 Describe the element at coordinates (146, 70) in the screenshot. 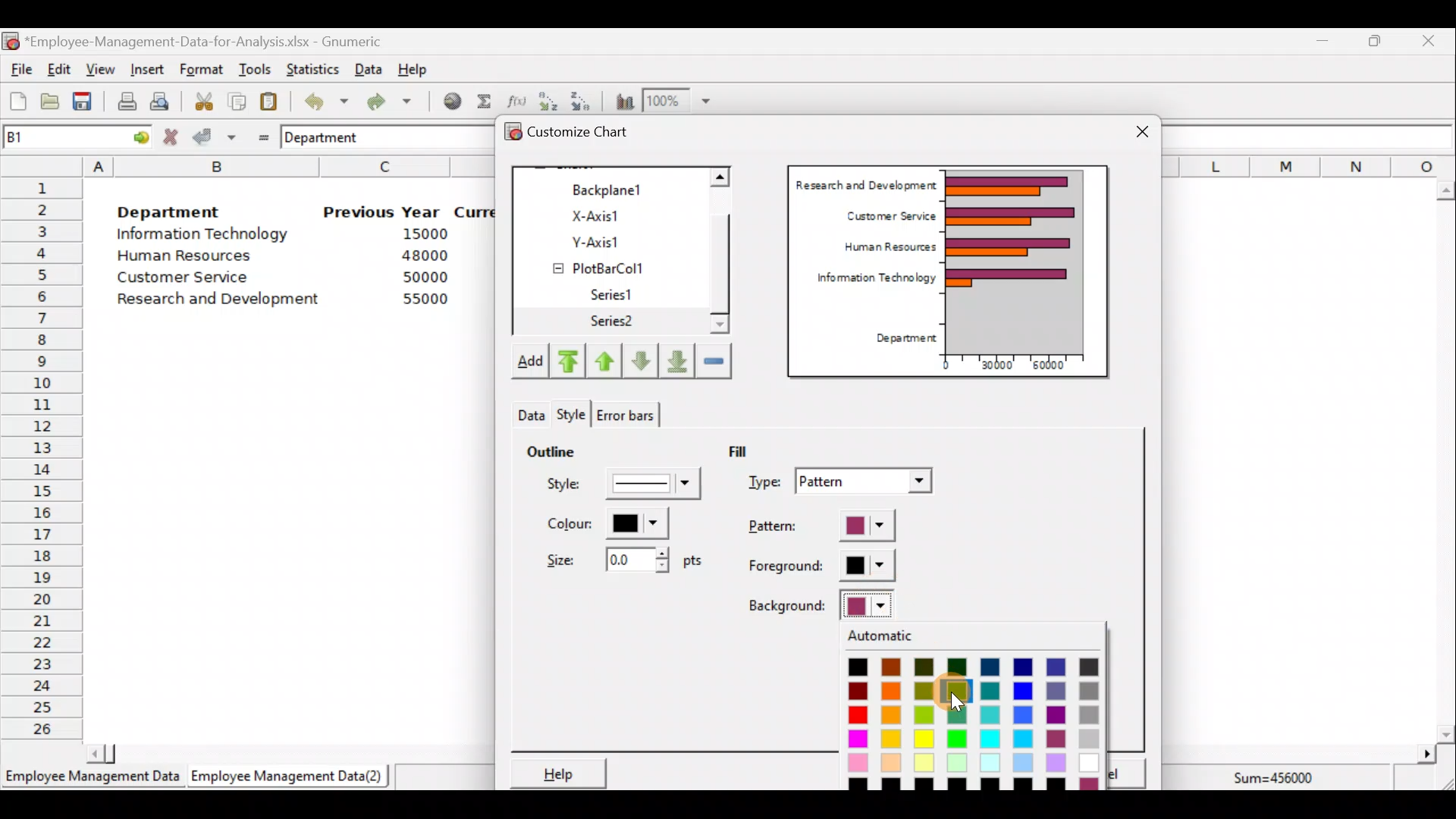

I see `Insert` at that location.